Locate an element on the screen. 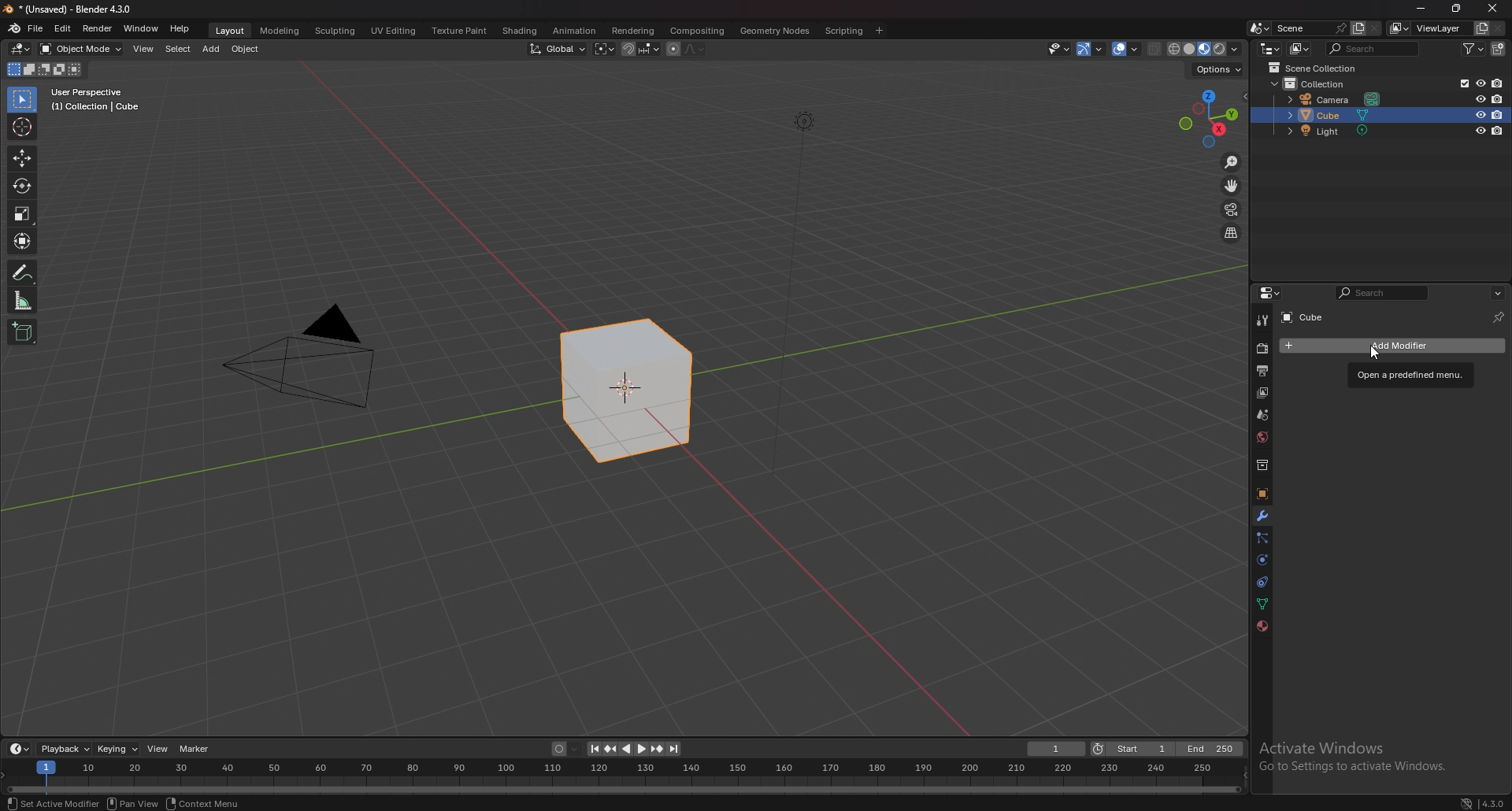 The width and height of the screenshot is (1512, 811). proportional editing object is located at coordinates (673, 50).